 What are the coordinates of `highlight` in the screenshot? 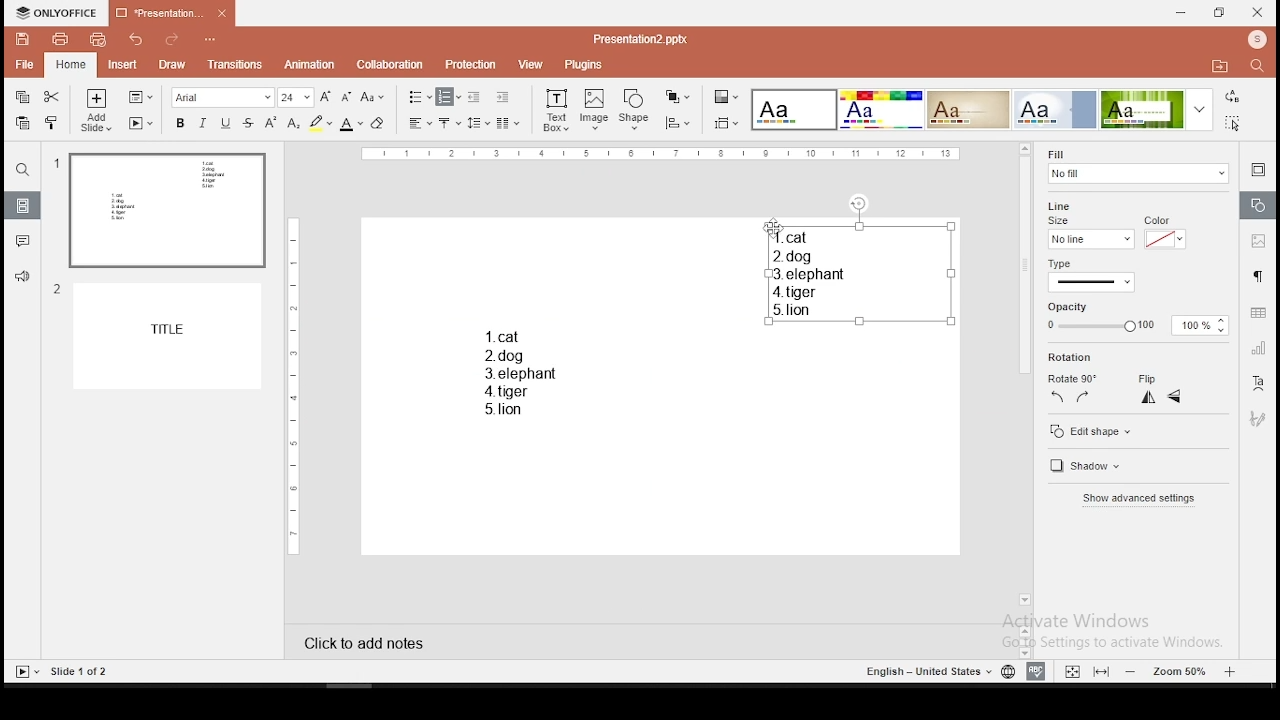 It's located at (320, 123).